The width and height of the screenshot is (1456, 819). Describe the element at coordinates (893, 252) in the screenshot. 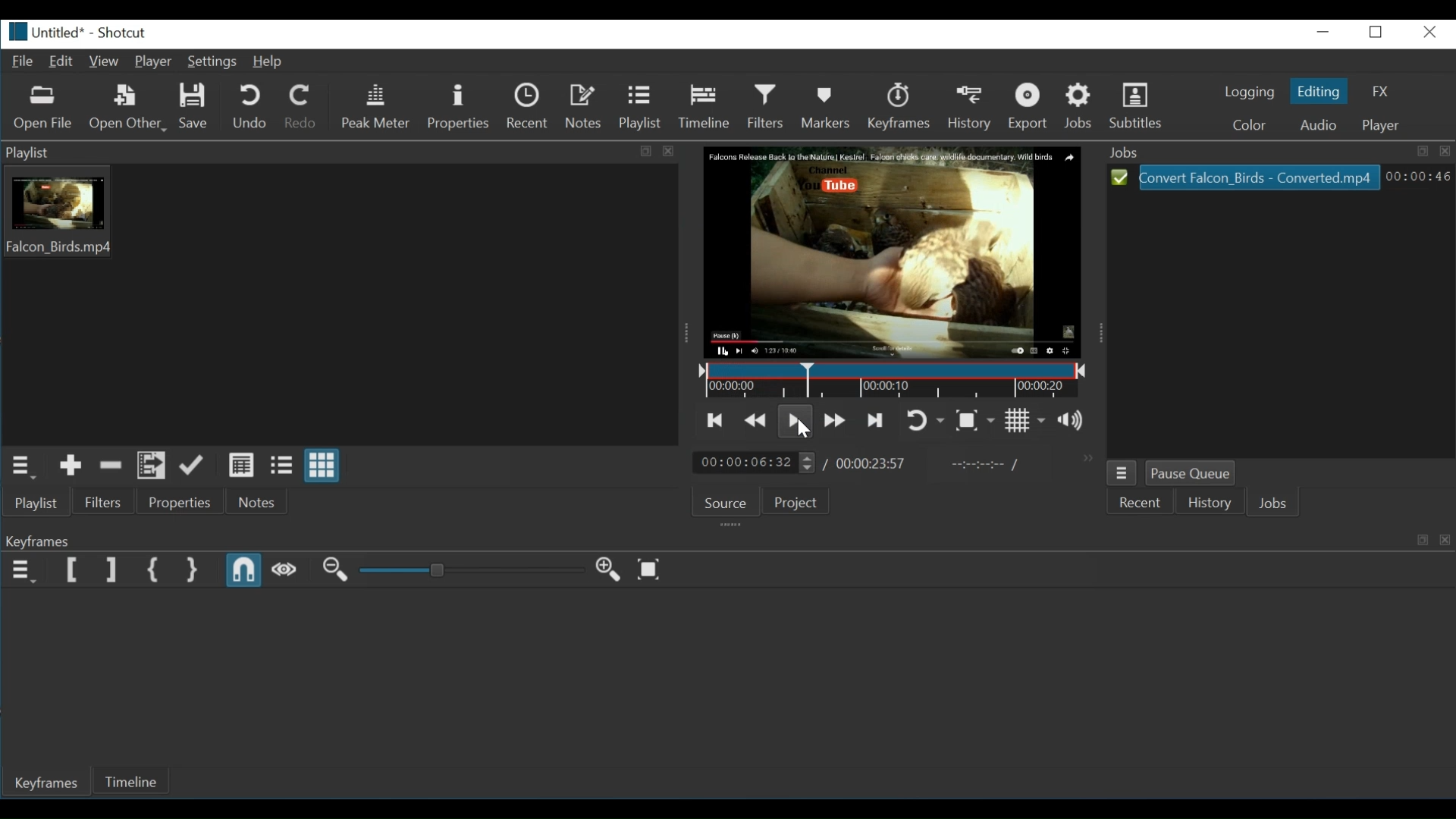

I see `Media Viewer` at that location.